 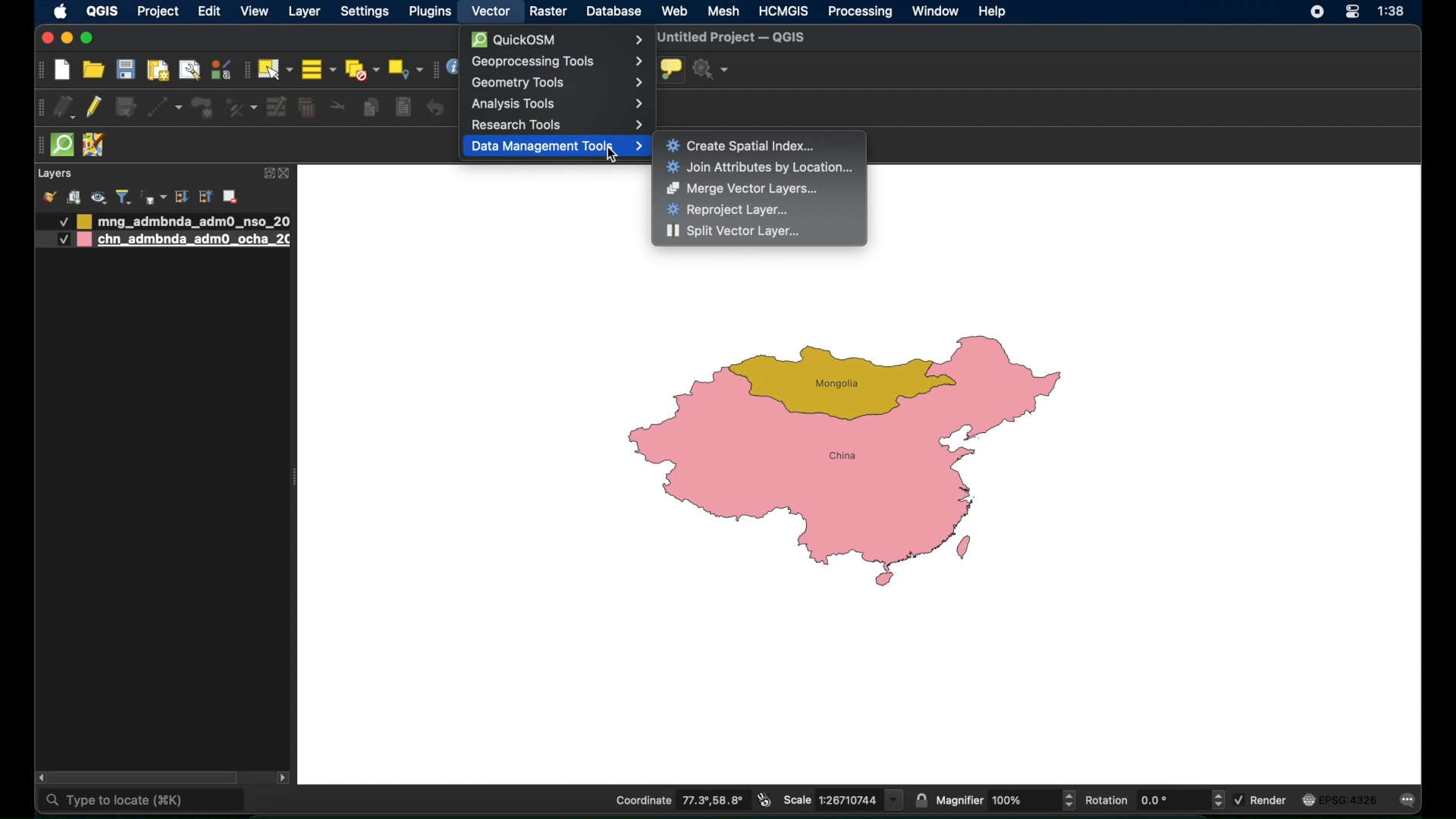 I want to click on raster, so click(x=550, y=12).